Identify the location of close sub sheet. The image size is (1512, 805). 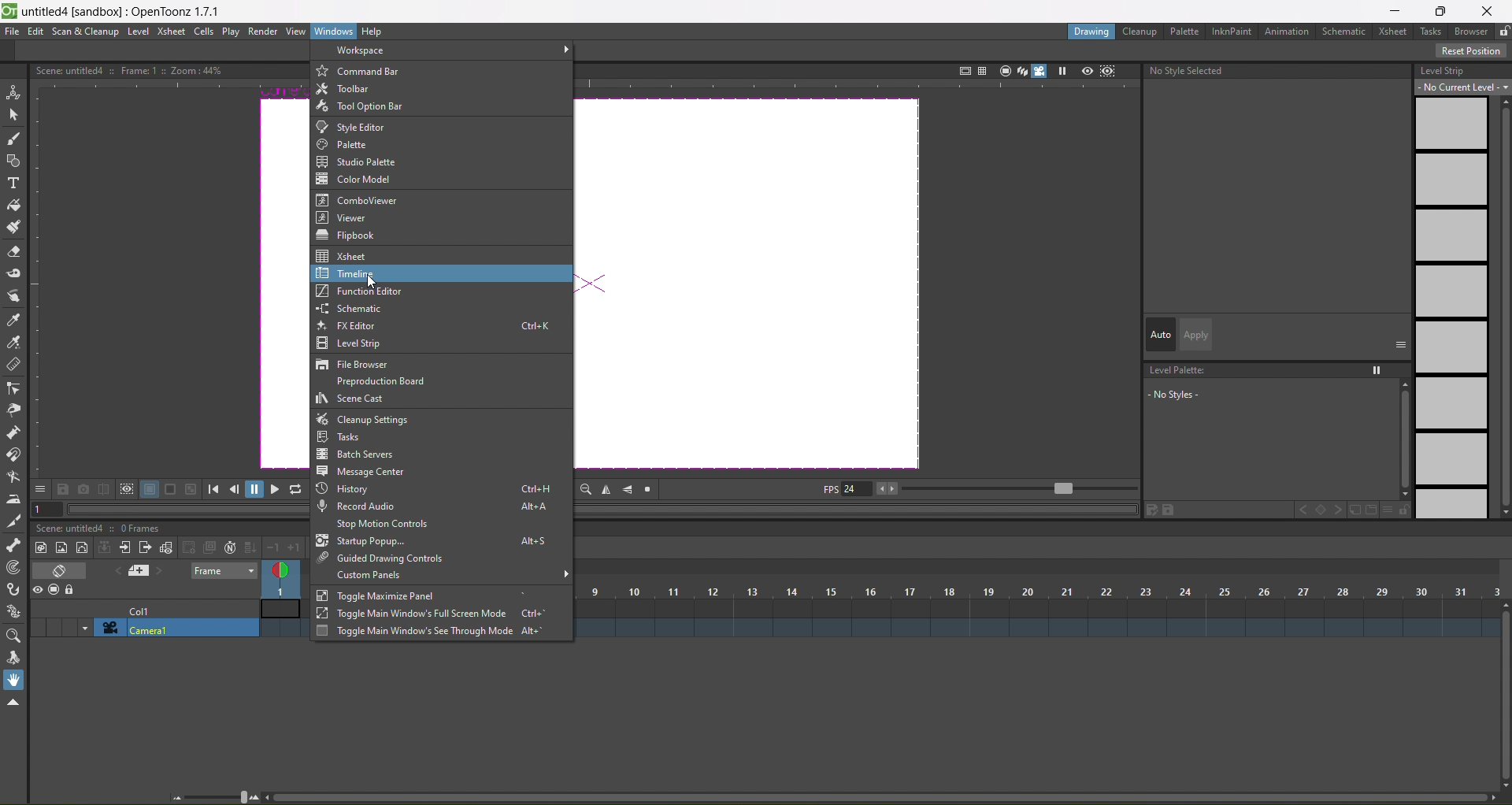
(145, 549).